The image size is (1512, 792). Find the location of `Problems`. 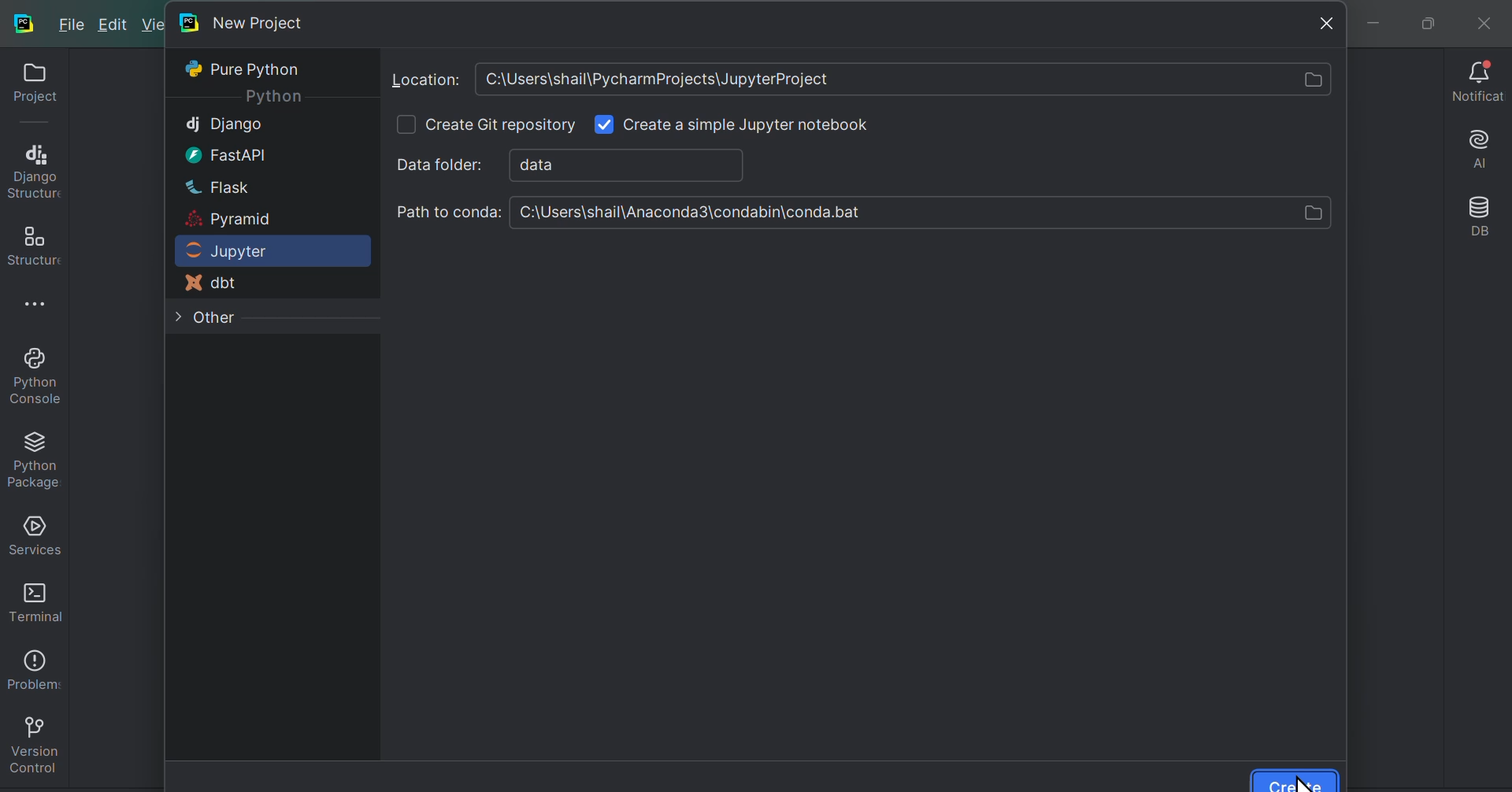

Problems is located at coordinates (31, 664).